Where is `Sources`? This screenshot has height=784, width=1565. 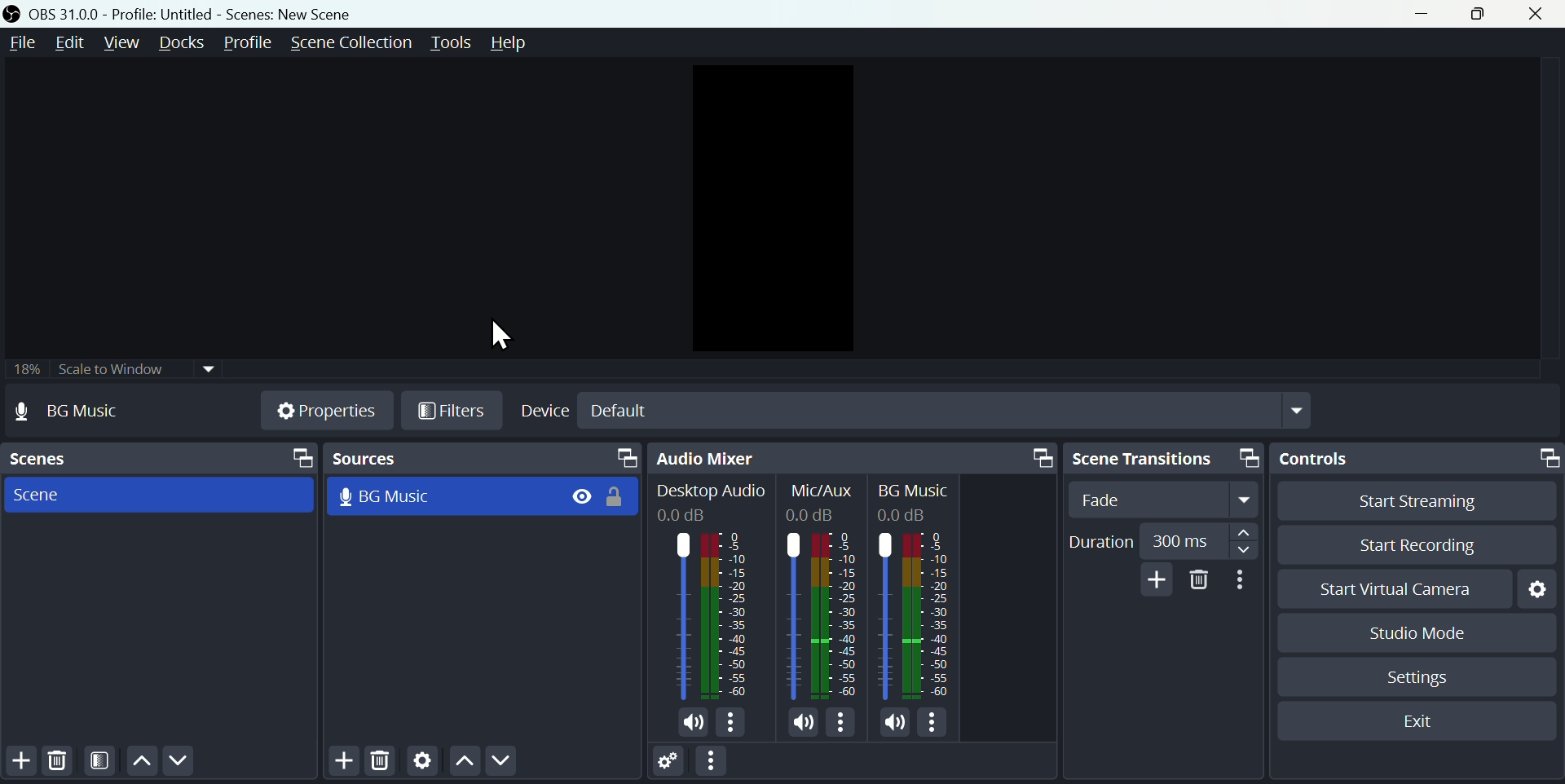
Sources is located at coordinates (482, 460).